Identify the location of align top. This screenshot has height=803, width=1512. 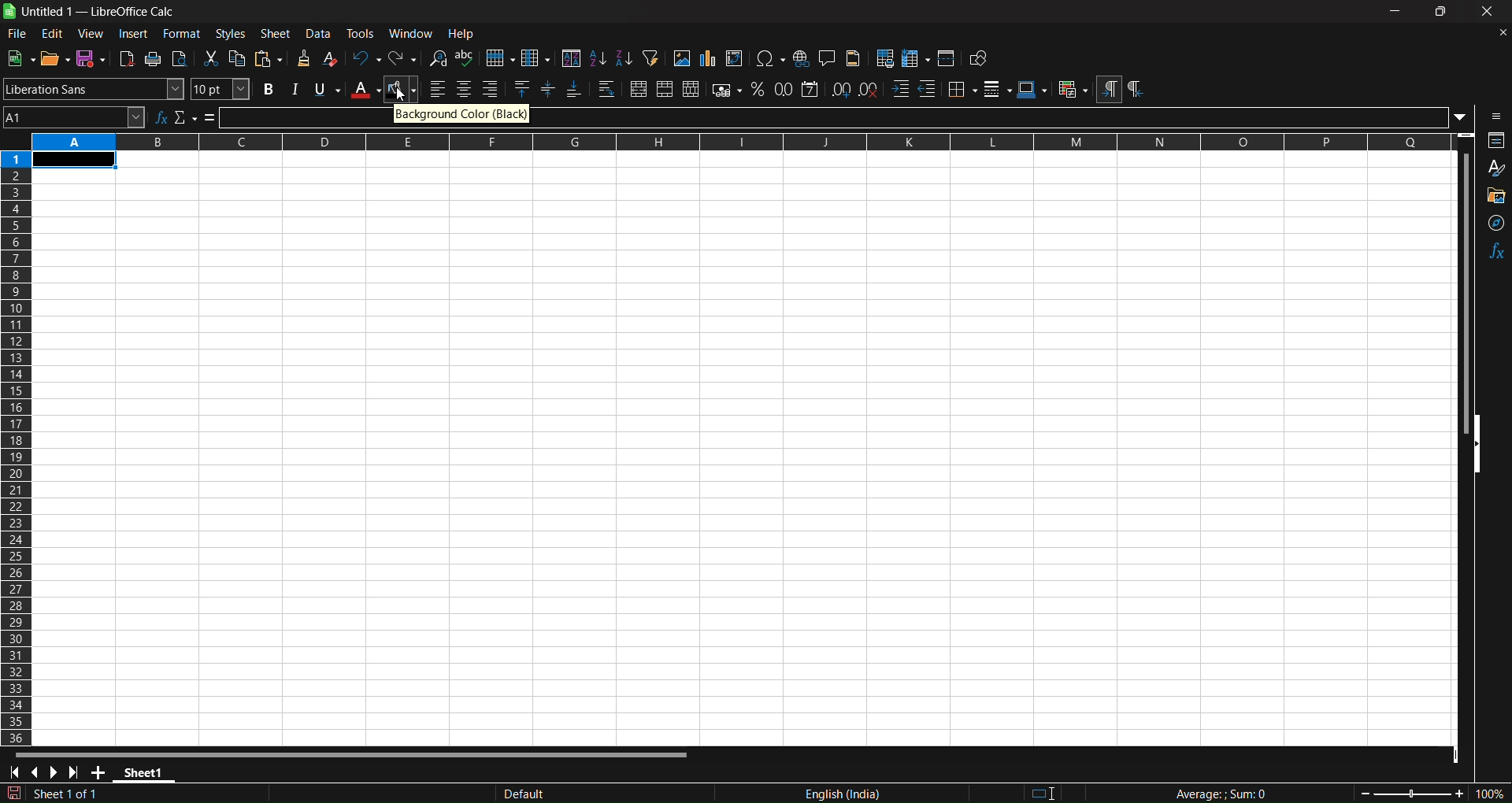
(522, 88).